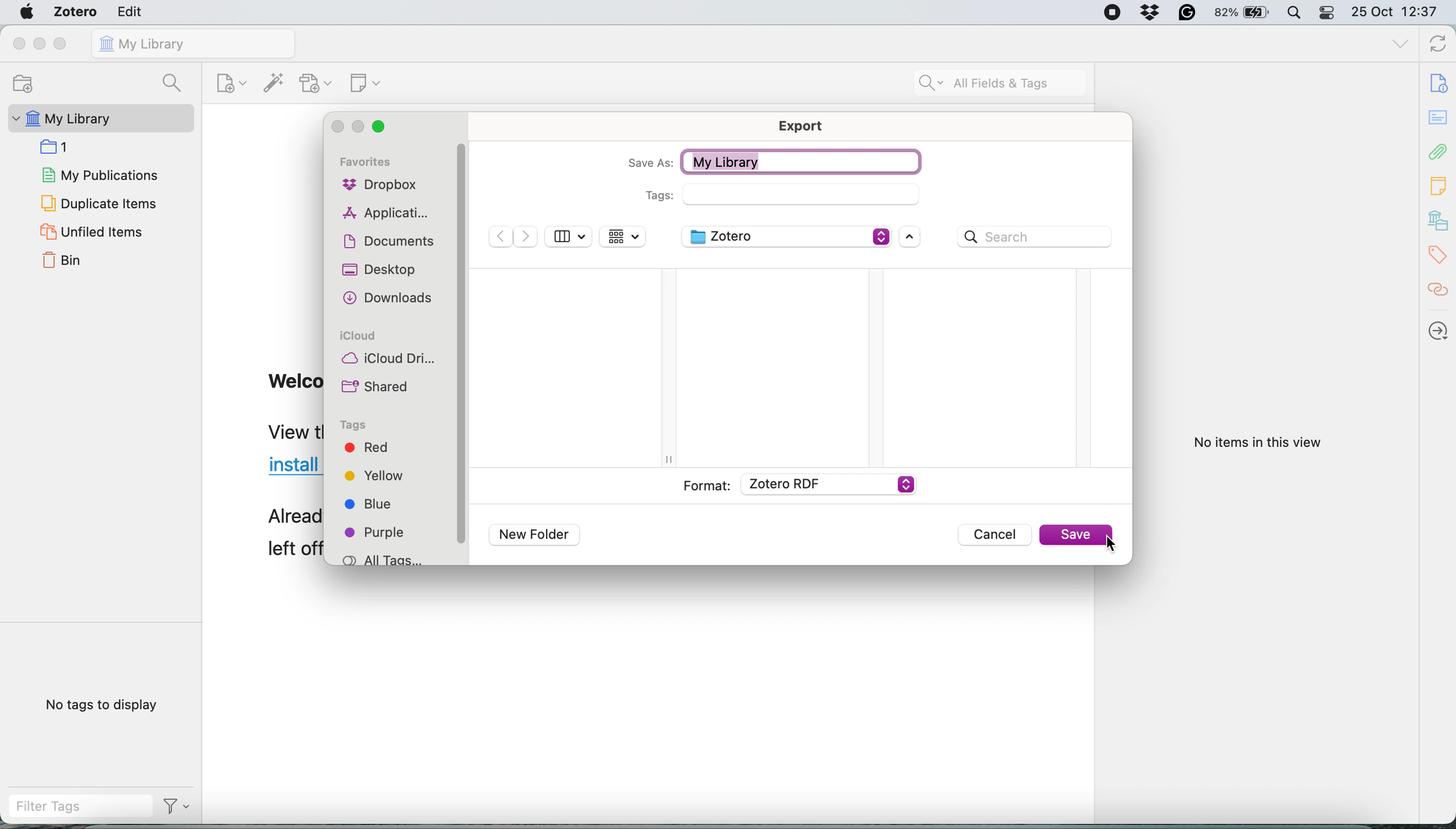 This screenshot has height=829, width=1456. Describe the element at coordinates (772, 161) in the screenshot. I see `Save As: My Library` at that location.